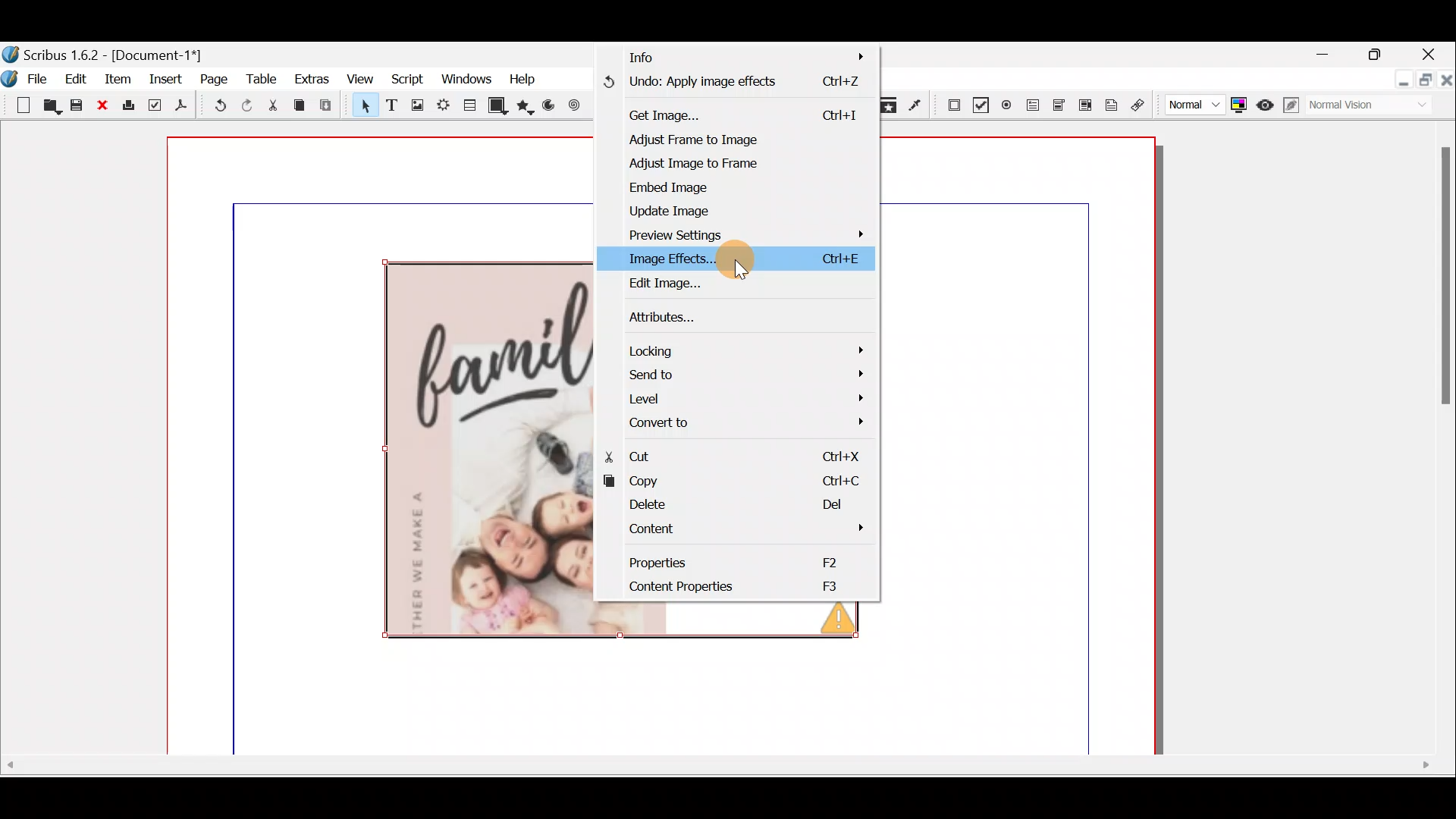  Describe the element at coordinates (726, 777) in the screenshot. I see `Scroll  bar` at that location.